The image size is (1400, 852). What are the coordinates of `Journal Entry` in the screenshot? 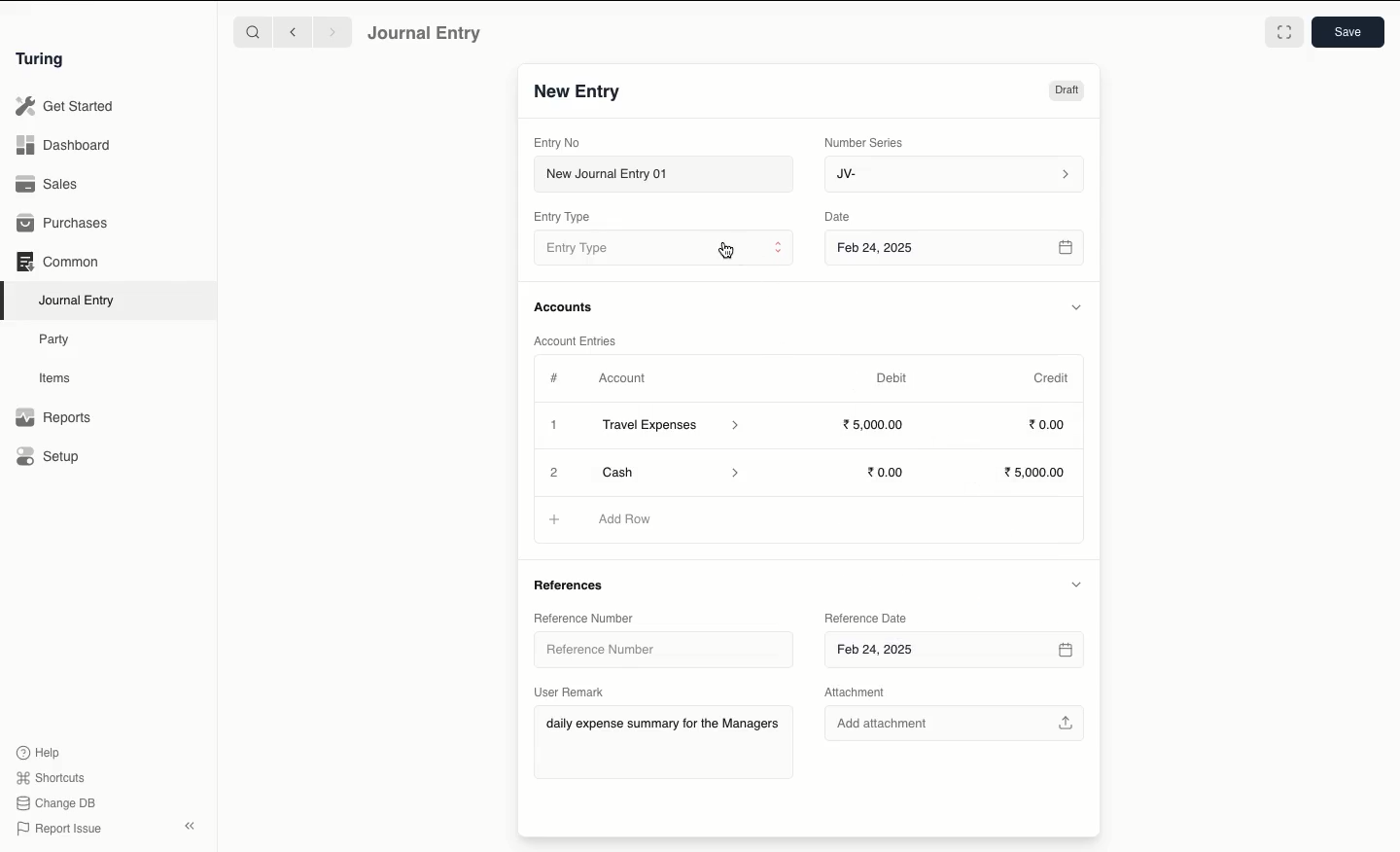 It's located at (78, 302).